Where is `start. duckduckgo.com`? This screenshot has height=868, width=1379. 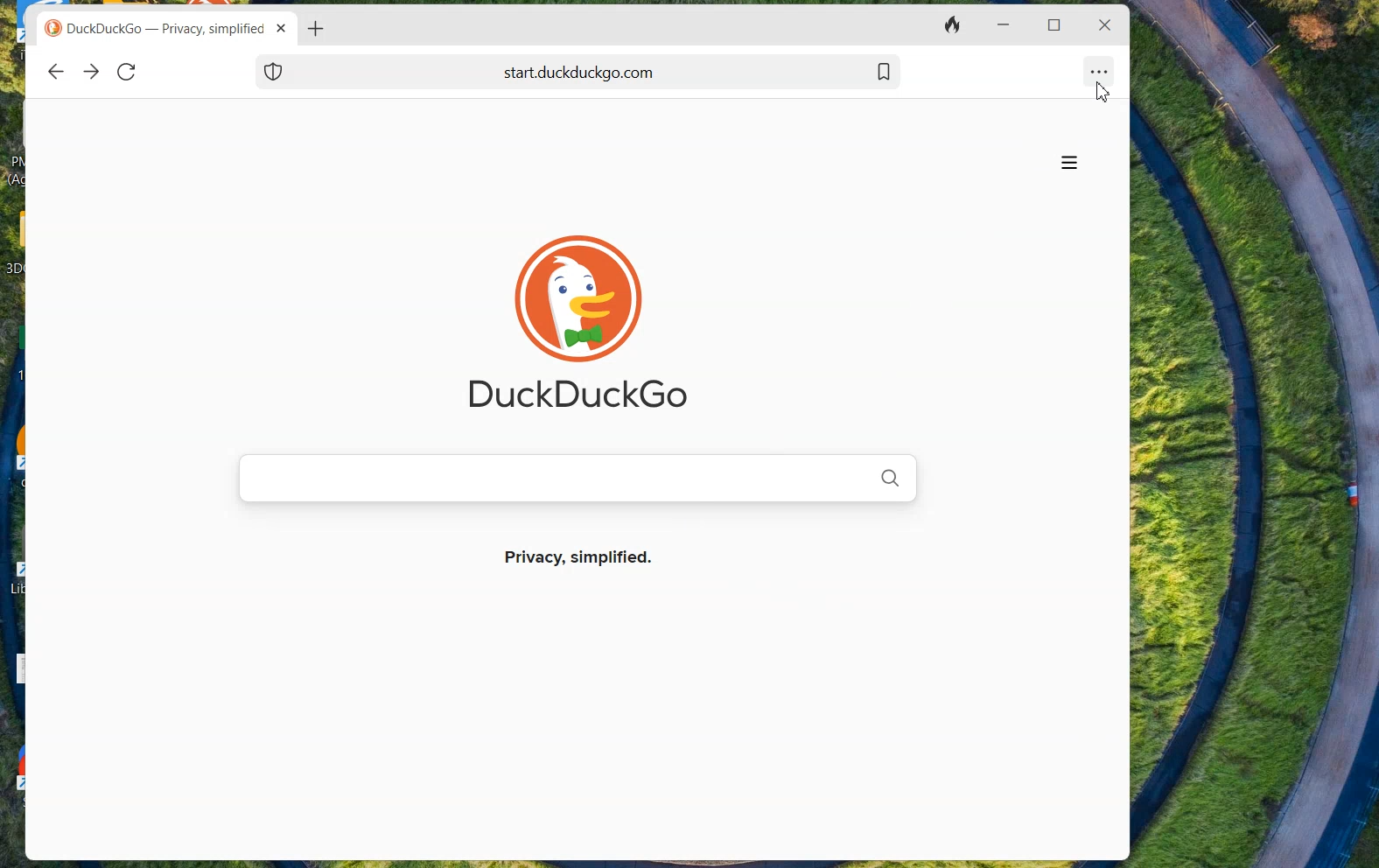 start. duckduckgo.com is located at coordinates (622, 71).